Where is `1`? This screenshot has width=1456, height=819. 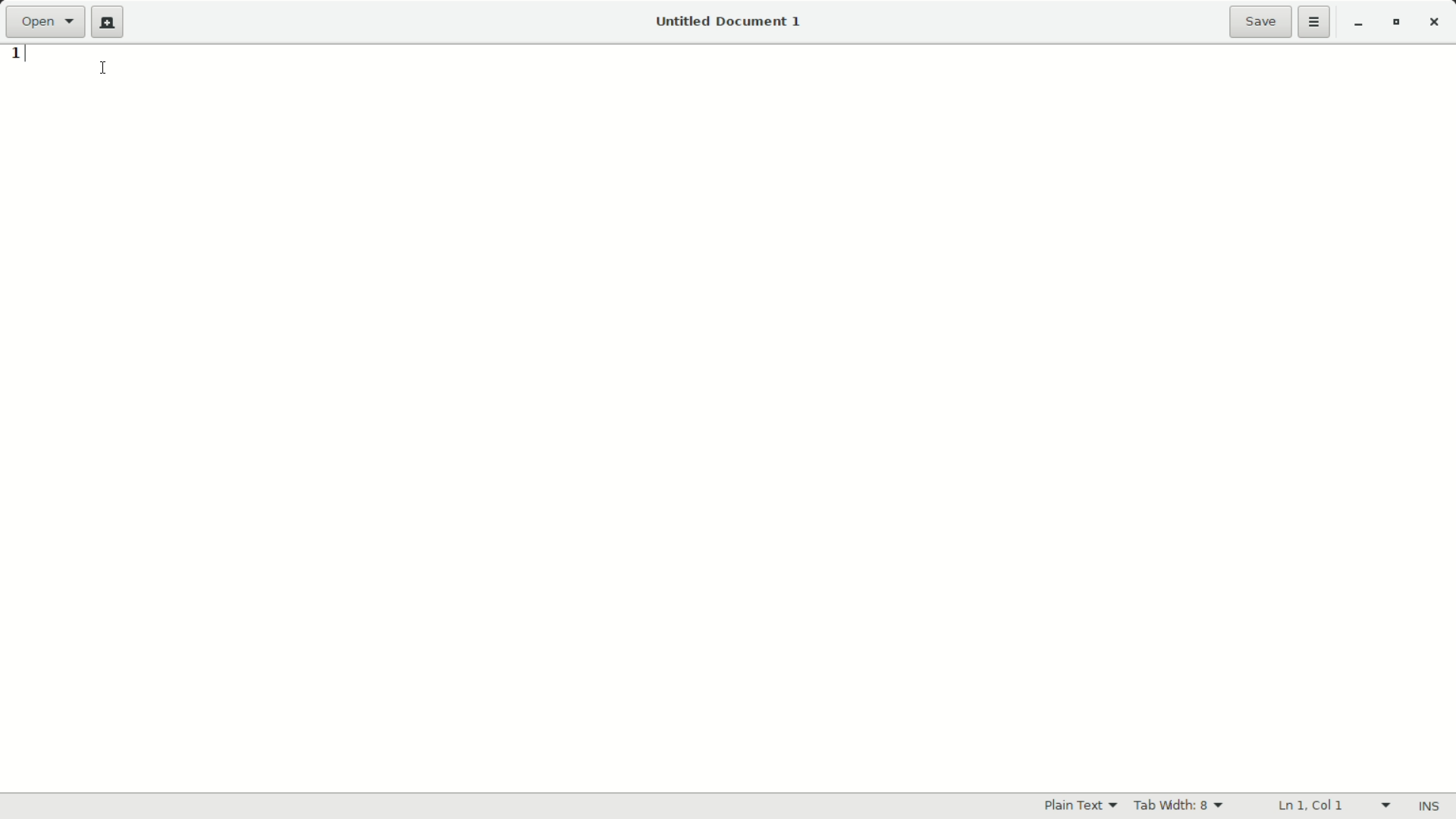
1 is located at coordinates (20, 52).